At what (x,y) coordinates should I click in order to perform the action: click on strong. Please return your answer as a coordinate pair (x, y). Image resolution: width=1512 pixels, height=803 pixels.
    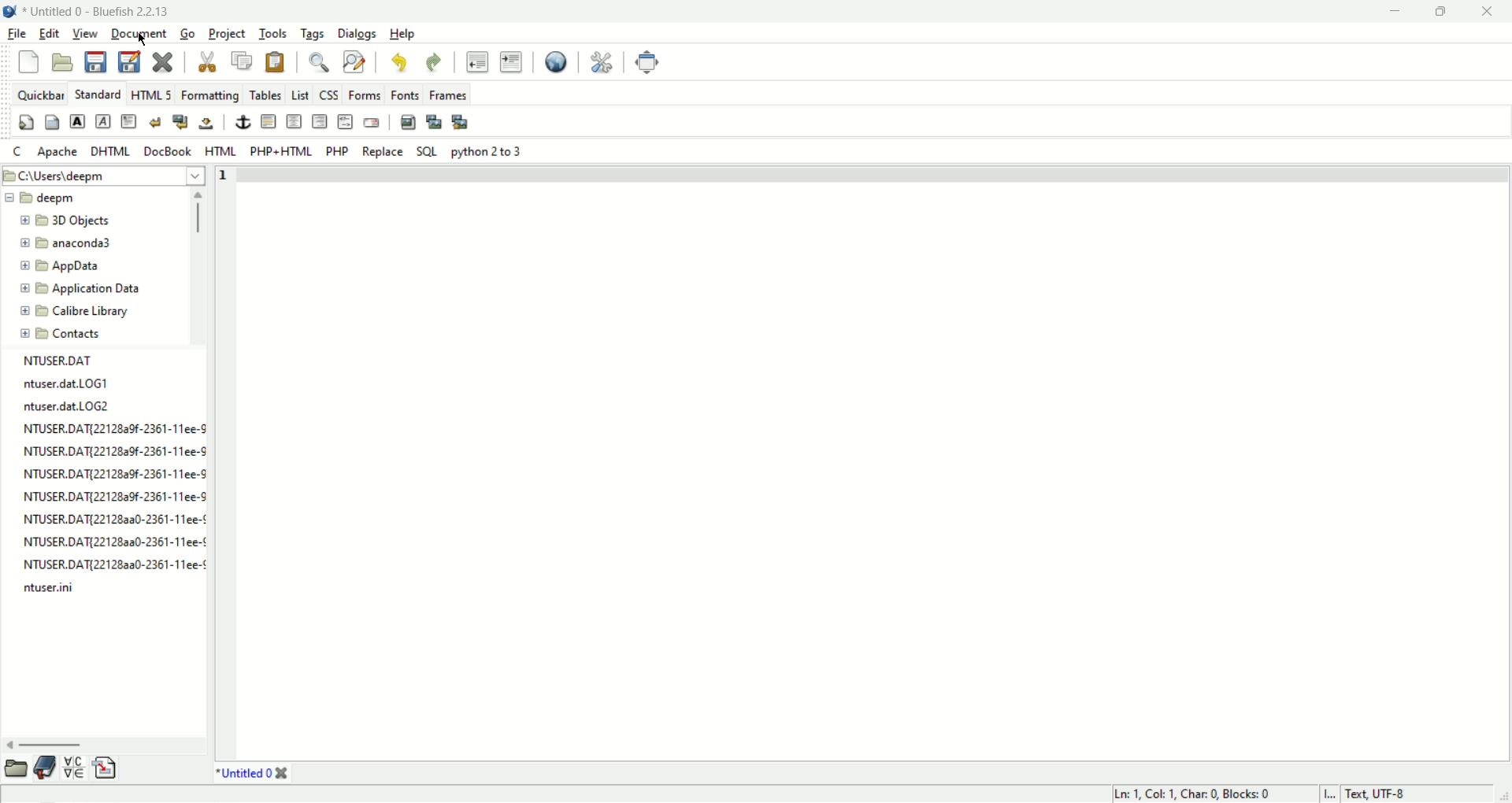
    Looking at the image, I should click on (79, 121).